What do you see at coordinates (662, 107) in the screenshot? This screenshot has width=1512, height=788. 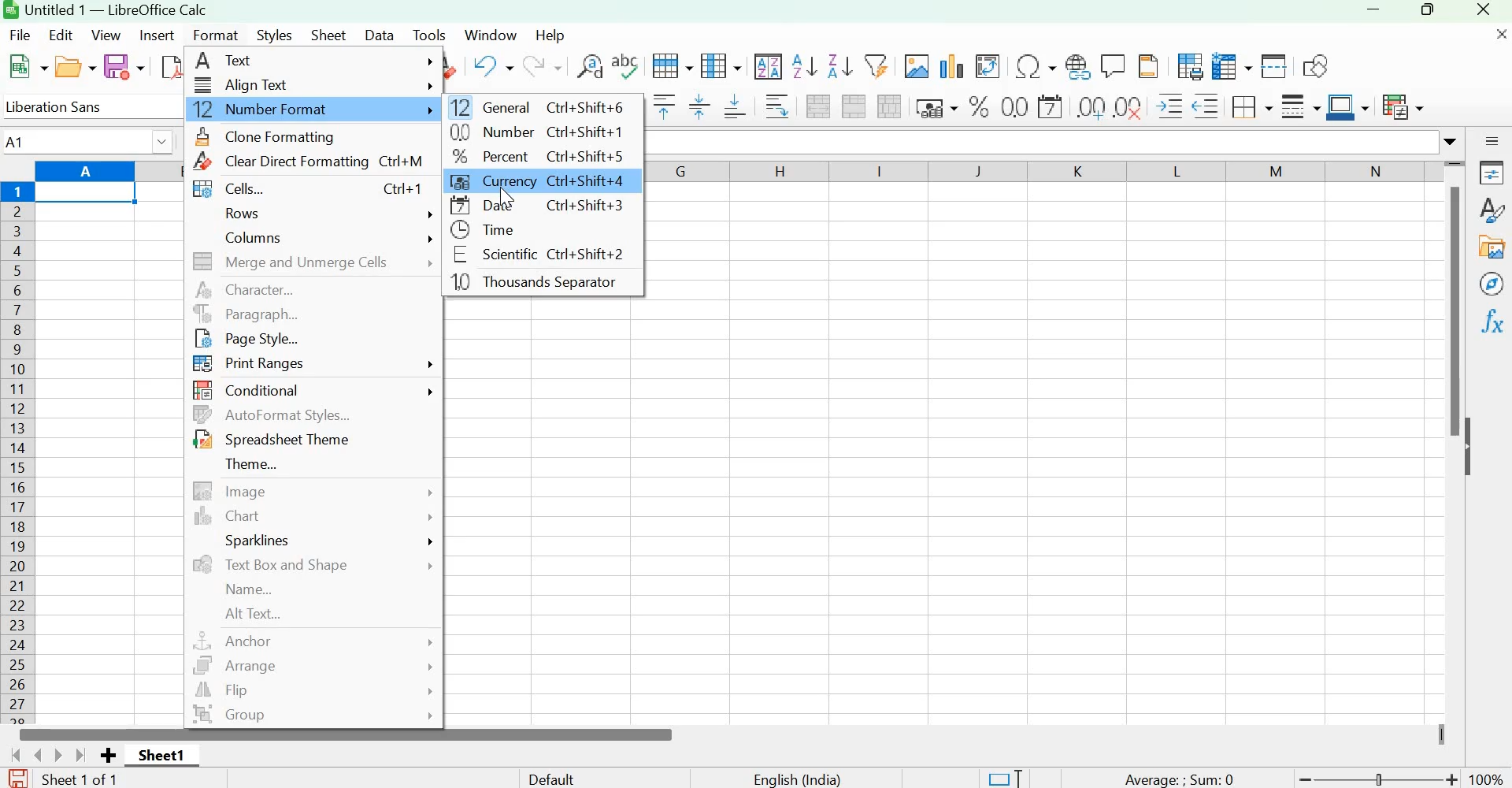 I see `Align top` at bounding box center [662, 107].